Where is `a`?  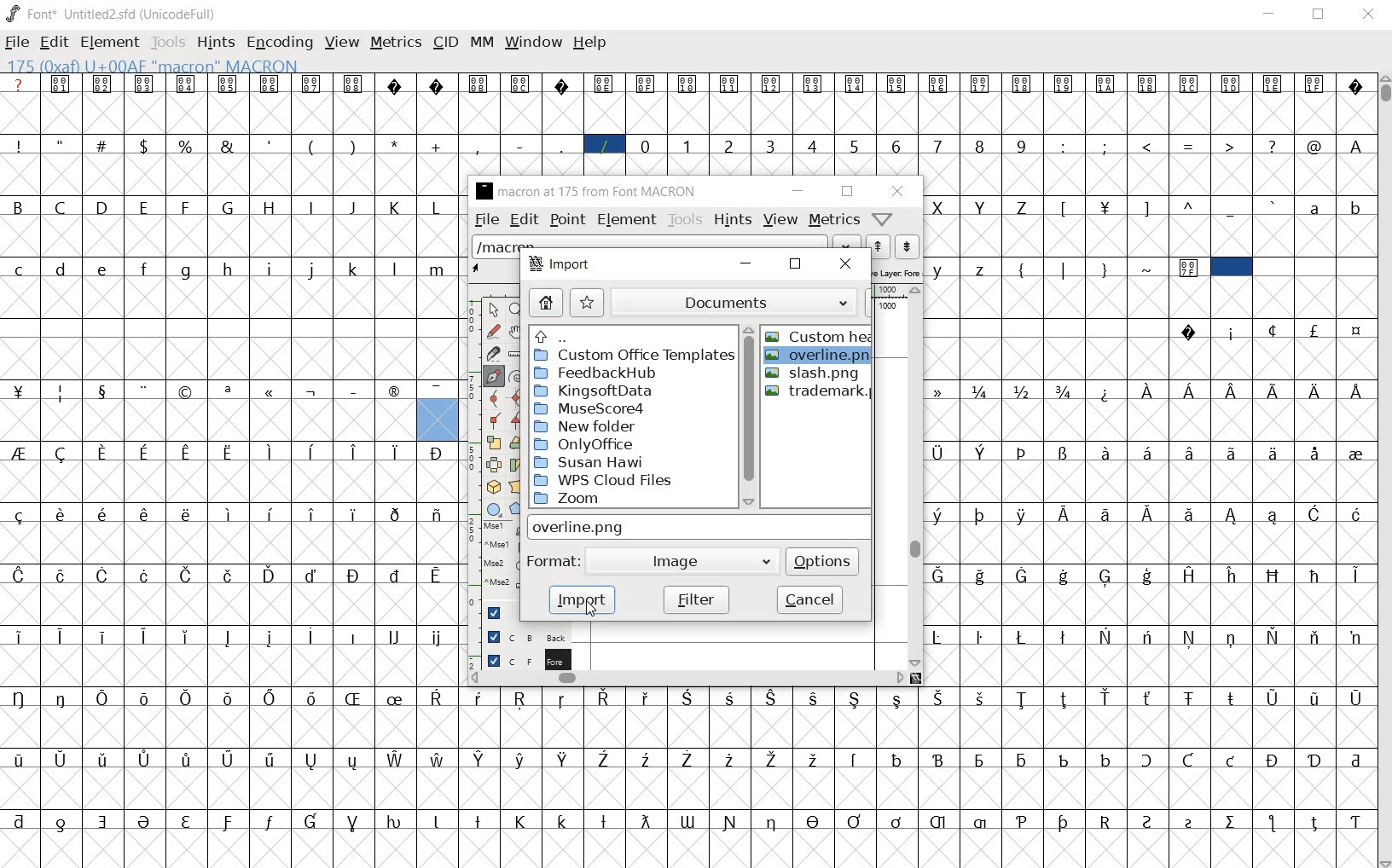 a is located at coordinates (1315, 209).